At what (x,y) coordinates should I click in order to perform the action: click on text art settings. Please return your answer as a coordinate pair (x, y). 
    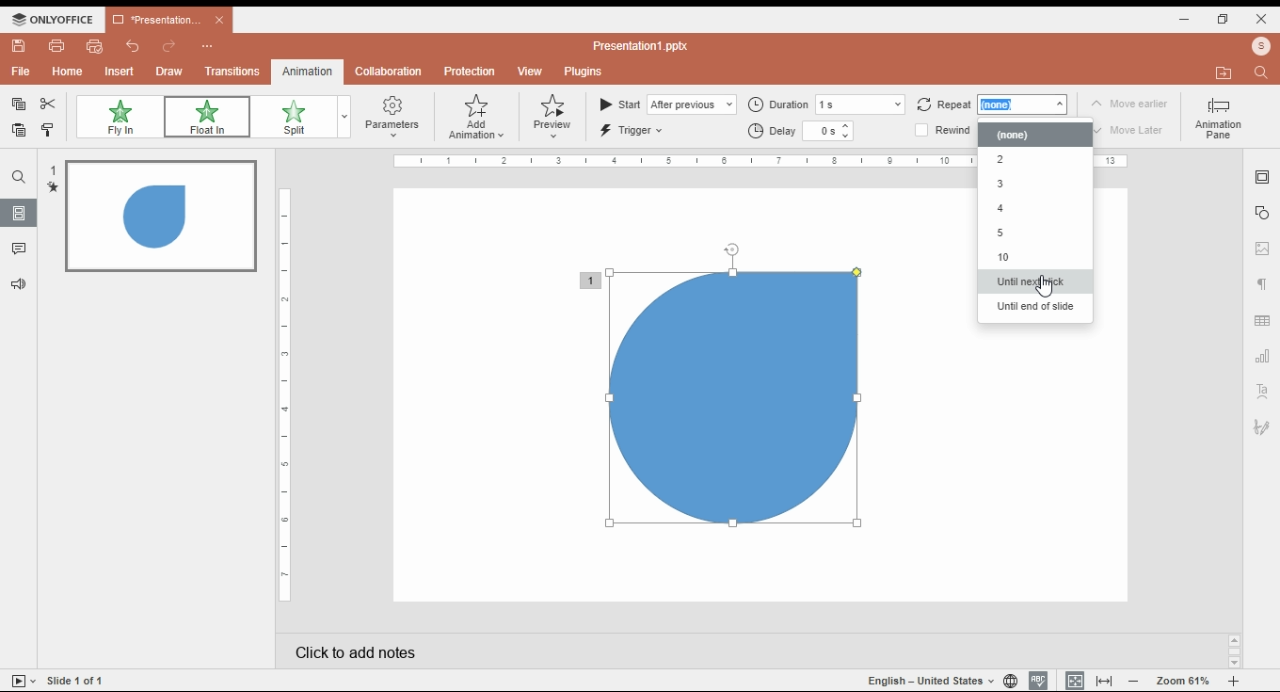
    Looking at the image, I should click on (1262, 392).